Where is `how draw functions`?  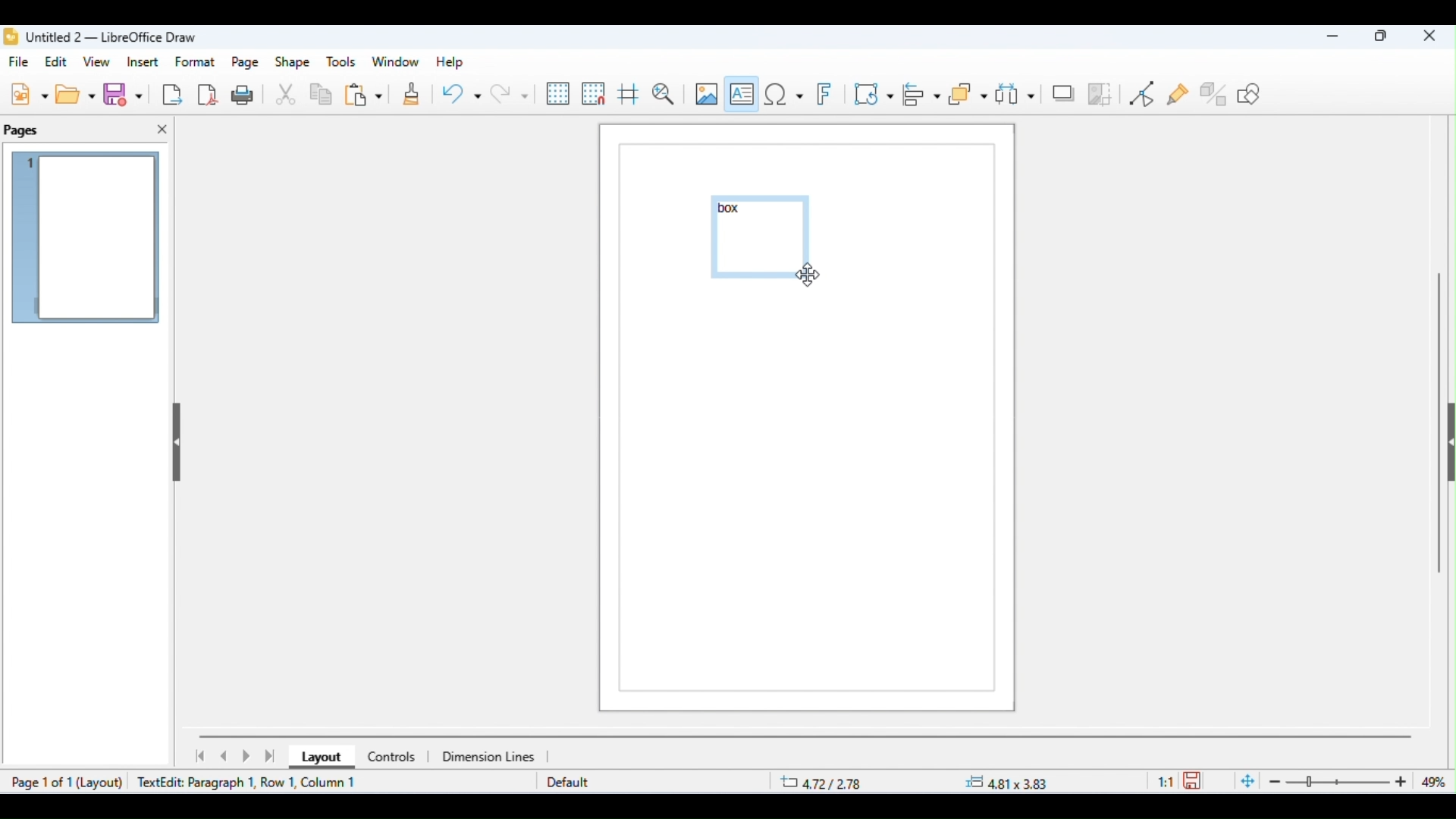
how draw functions is located at coordinates (1250, 93).